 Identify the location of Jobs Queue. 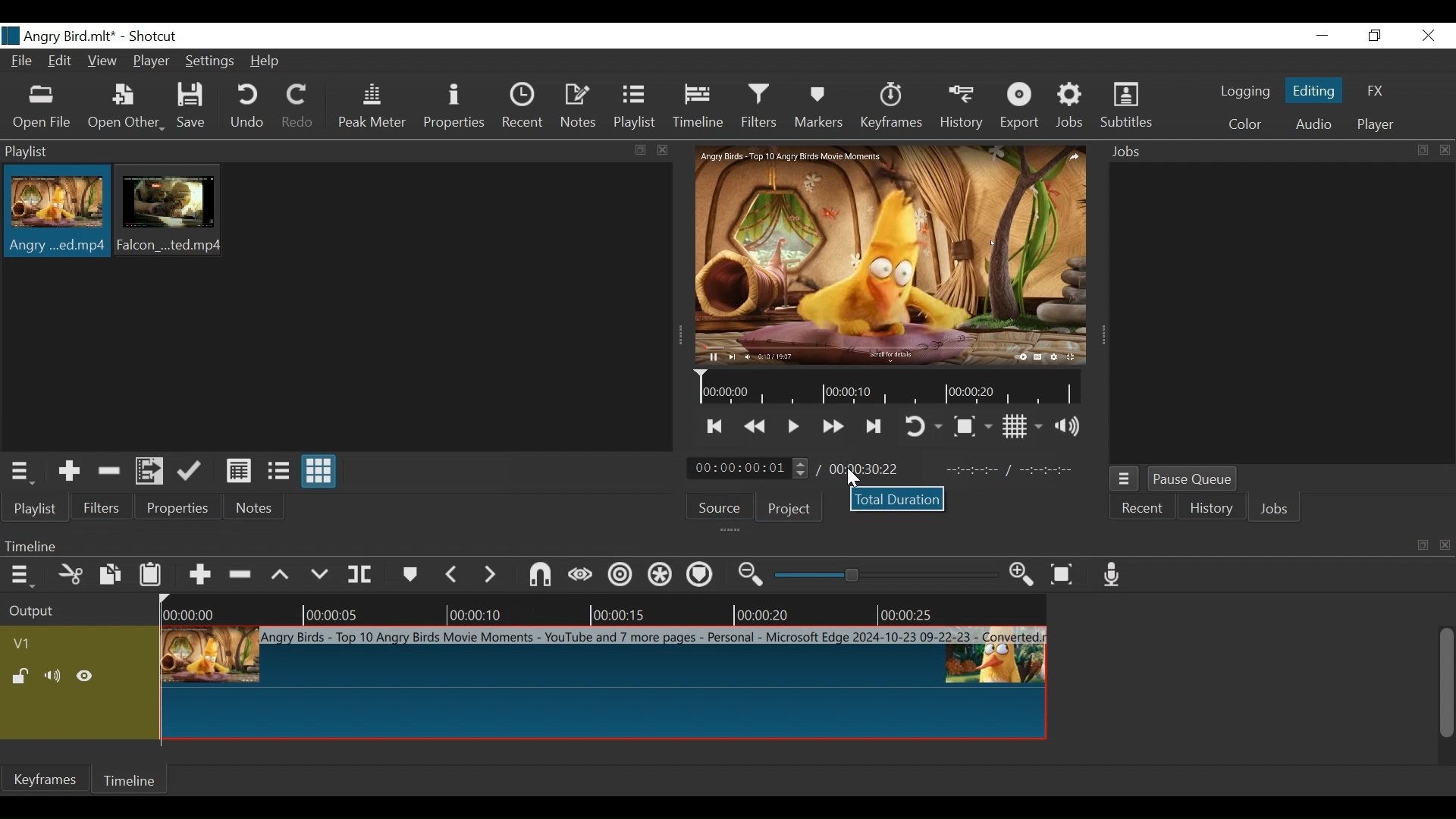
(1125, 479).